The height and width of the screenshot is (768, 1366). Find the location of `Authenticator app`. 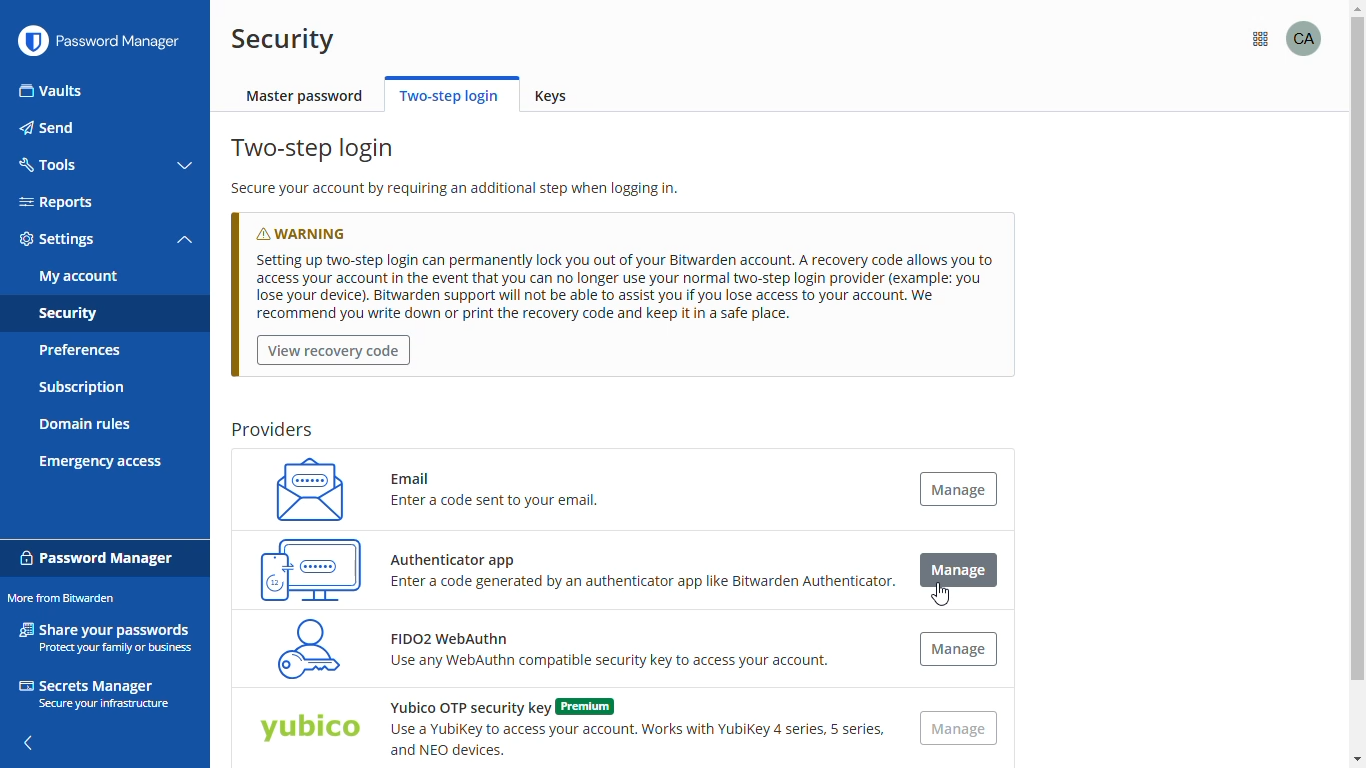

Authenticator app is located at coordinates (458, 557).